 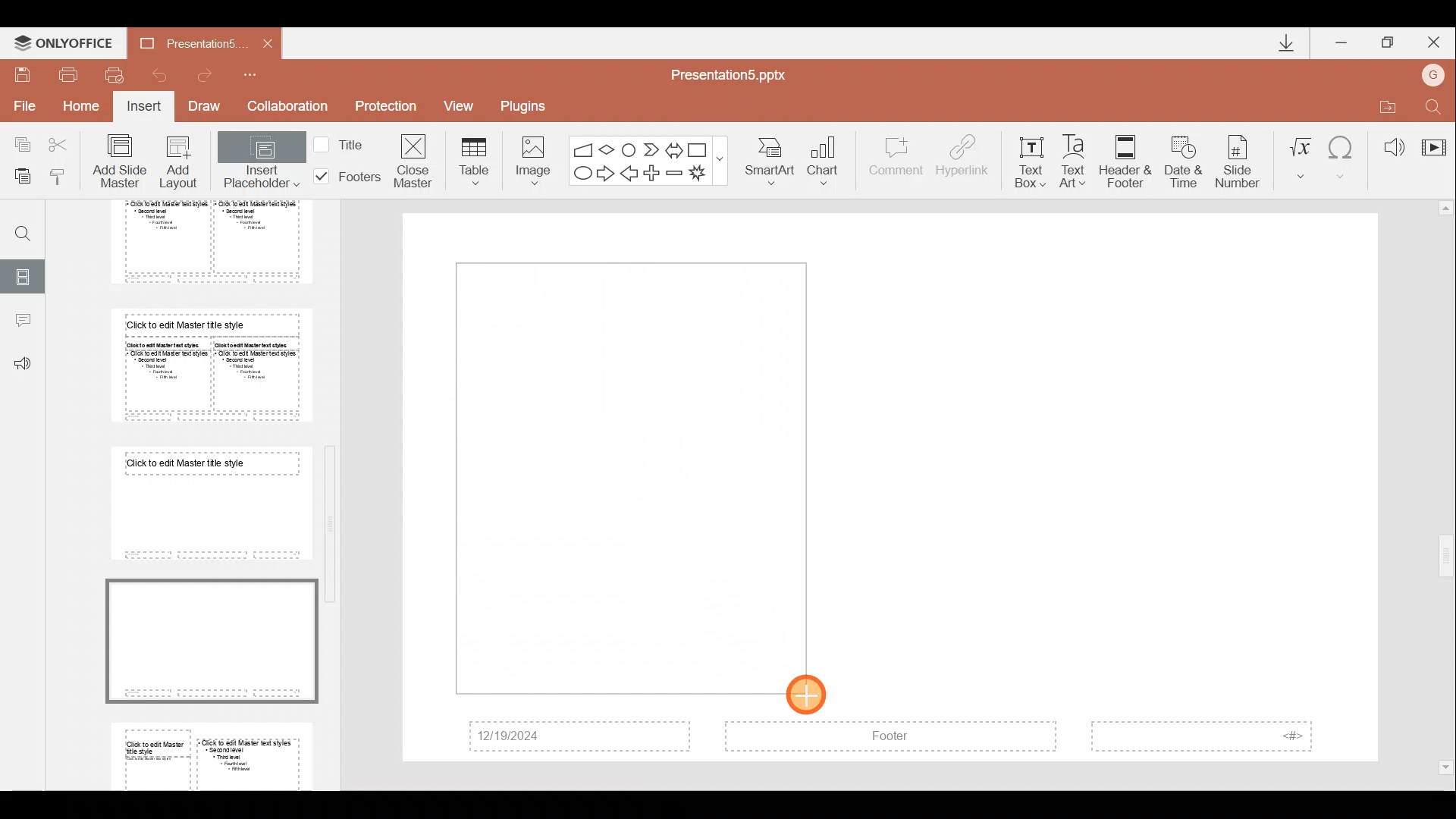 What do you see at coordinates (17, 144) in the screenshot?
I see `Copy` at bounding box center [17, 144].